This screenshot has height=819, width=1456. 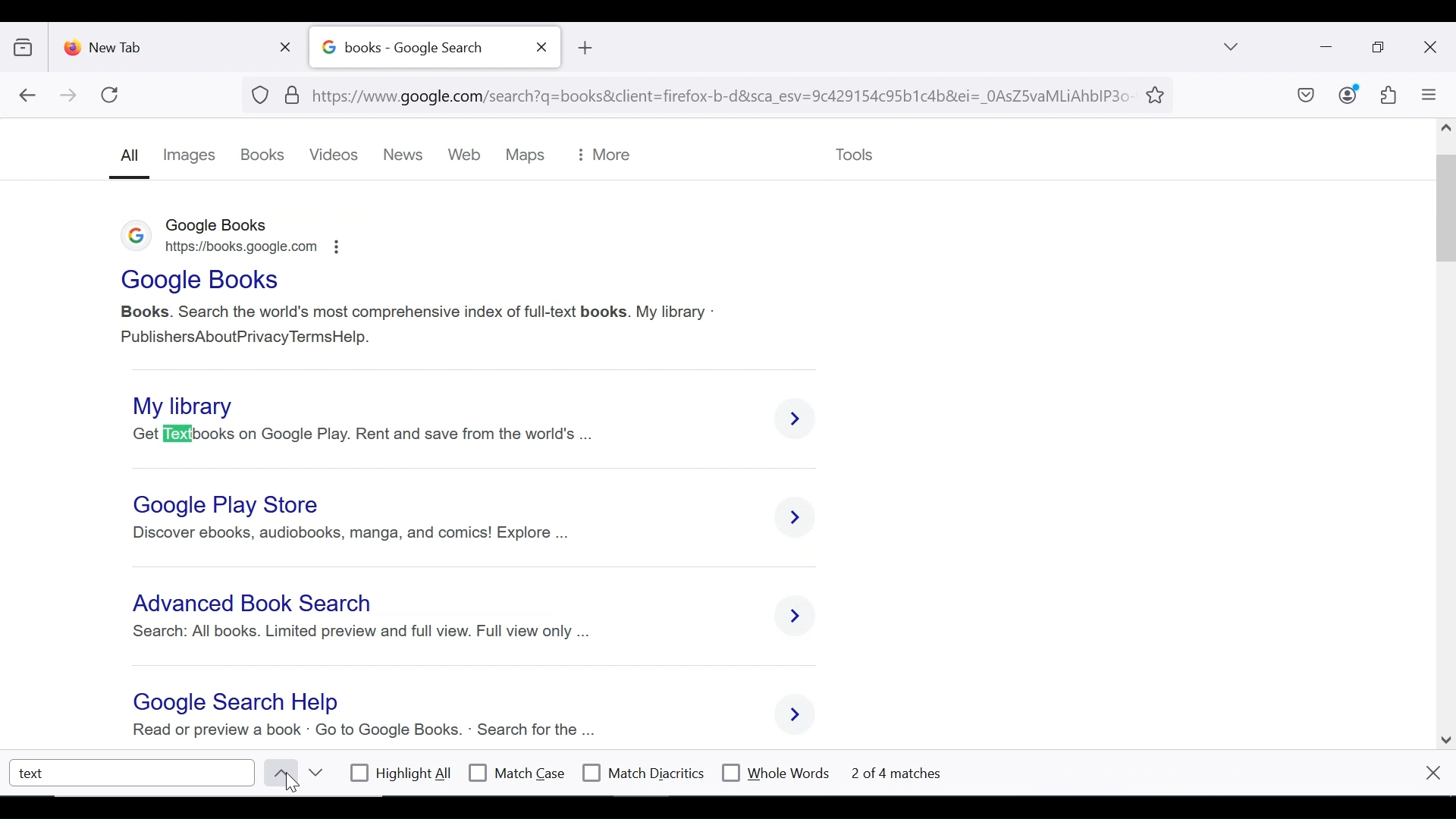 I want to click on highlight all, so click(x=402, y=775).